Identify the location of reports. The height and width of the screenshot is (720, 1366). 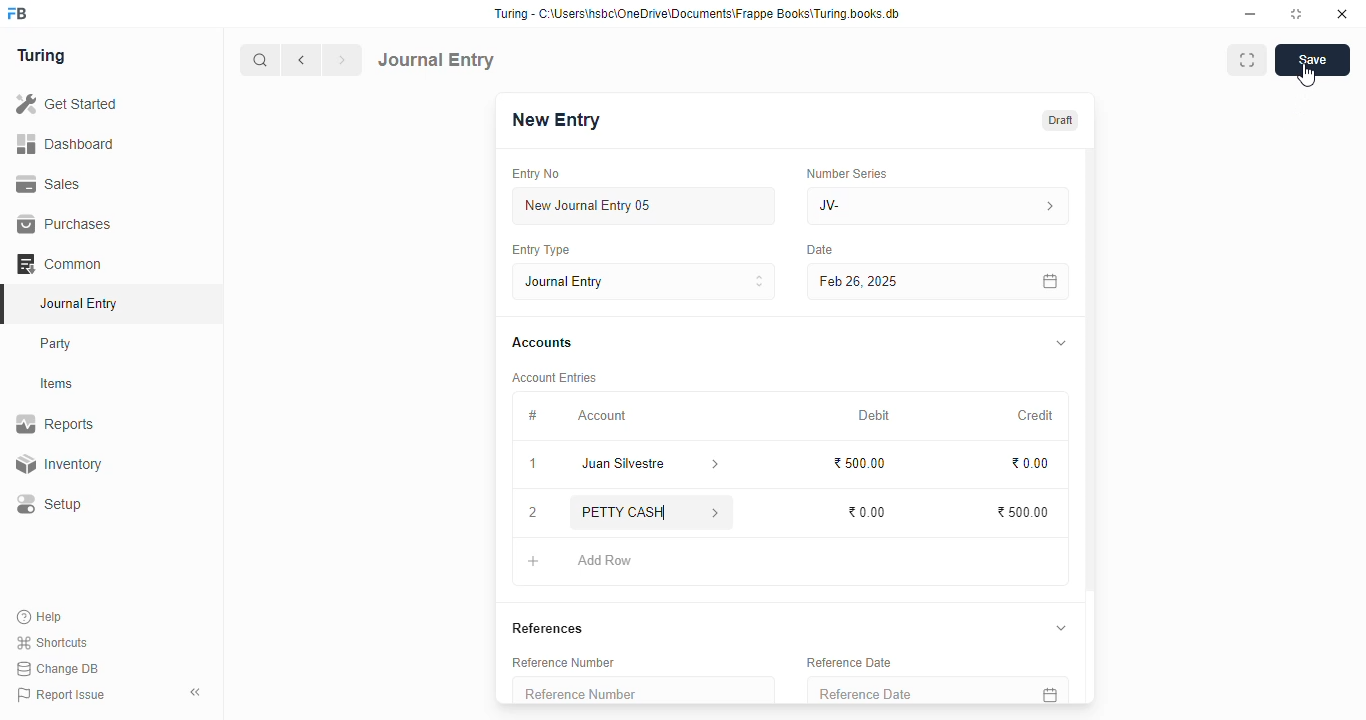
(56, 424).